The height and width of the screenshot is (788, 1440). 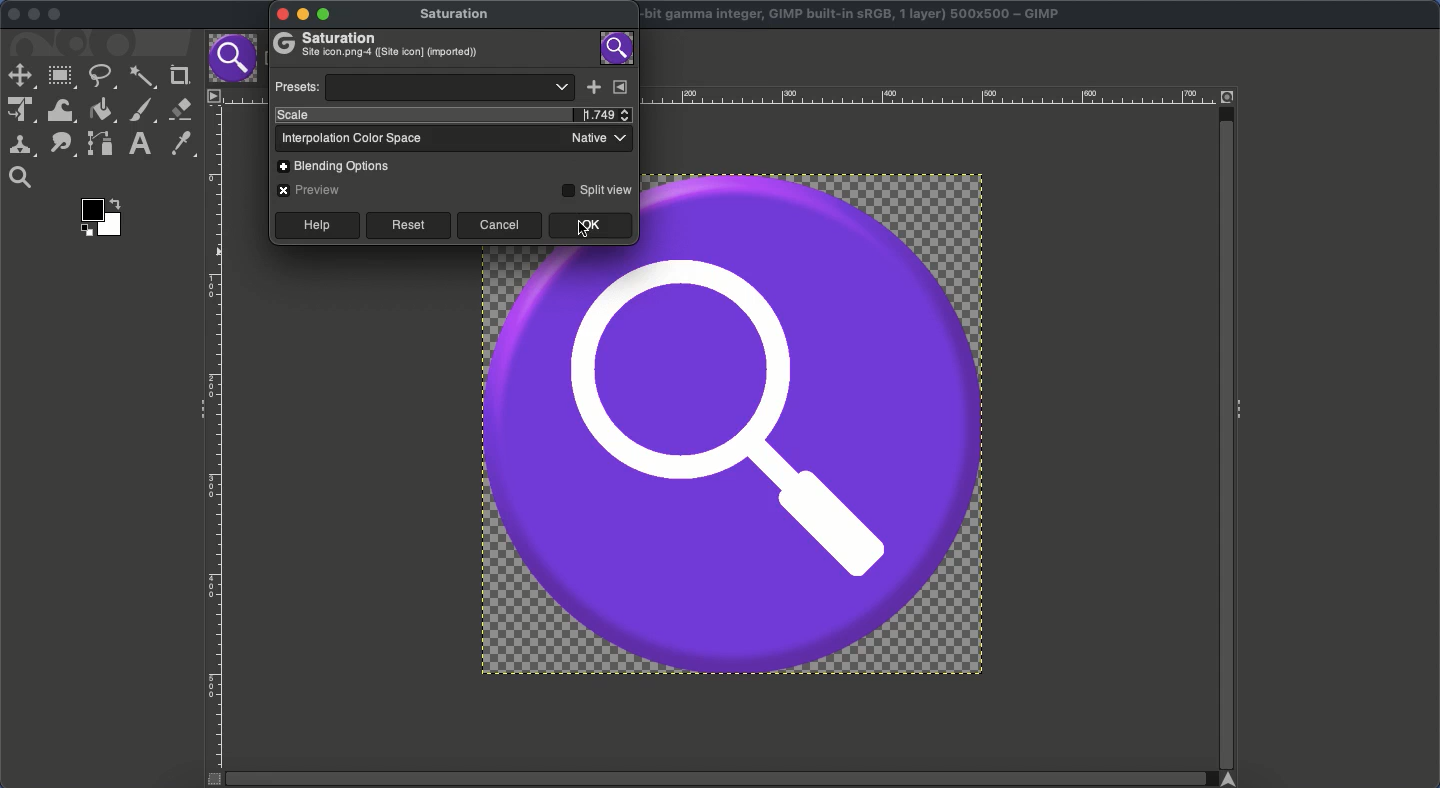 What do you see at coordinates (407, 225) in the screenshot?
I see `Reset` at bounding box center [407, 225].